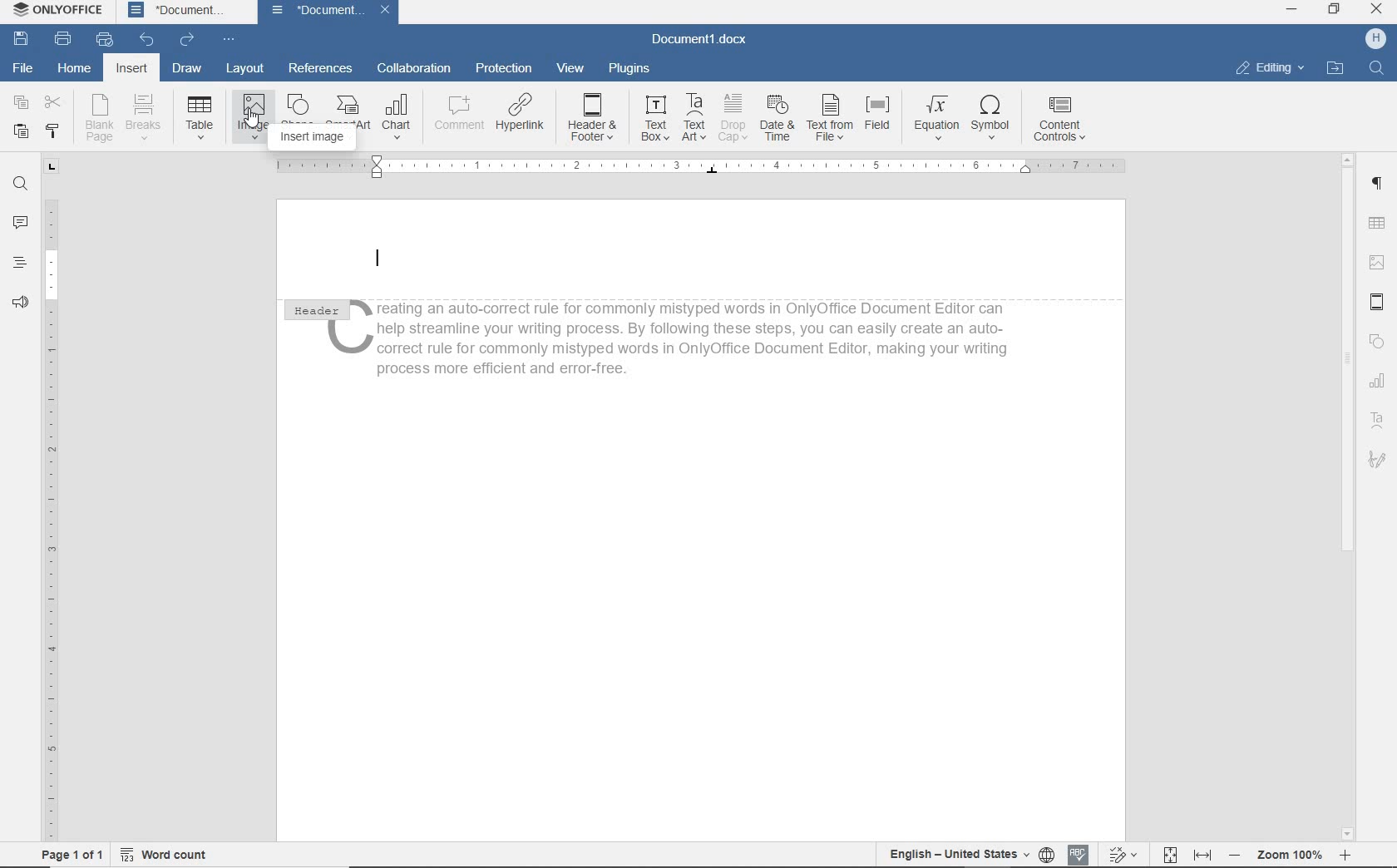 The image size is (1397, 868). I want to click on SHAPE, so click(1378, 343).